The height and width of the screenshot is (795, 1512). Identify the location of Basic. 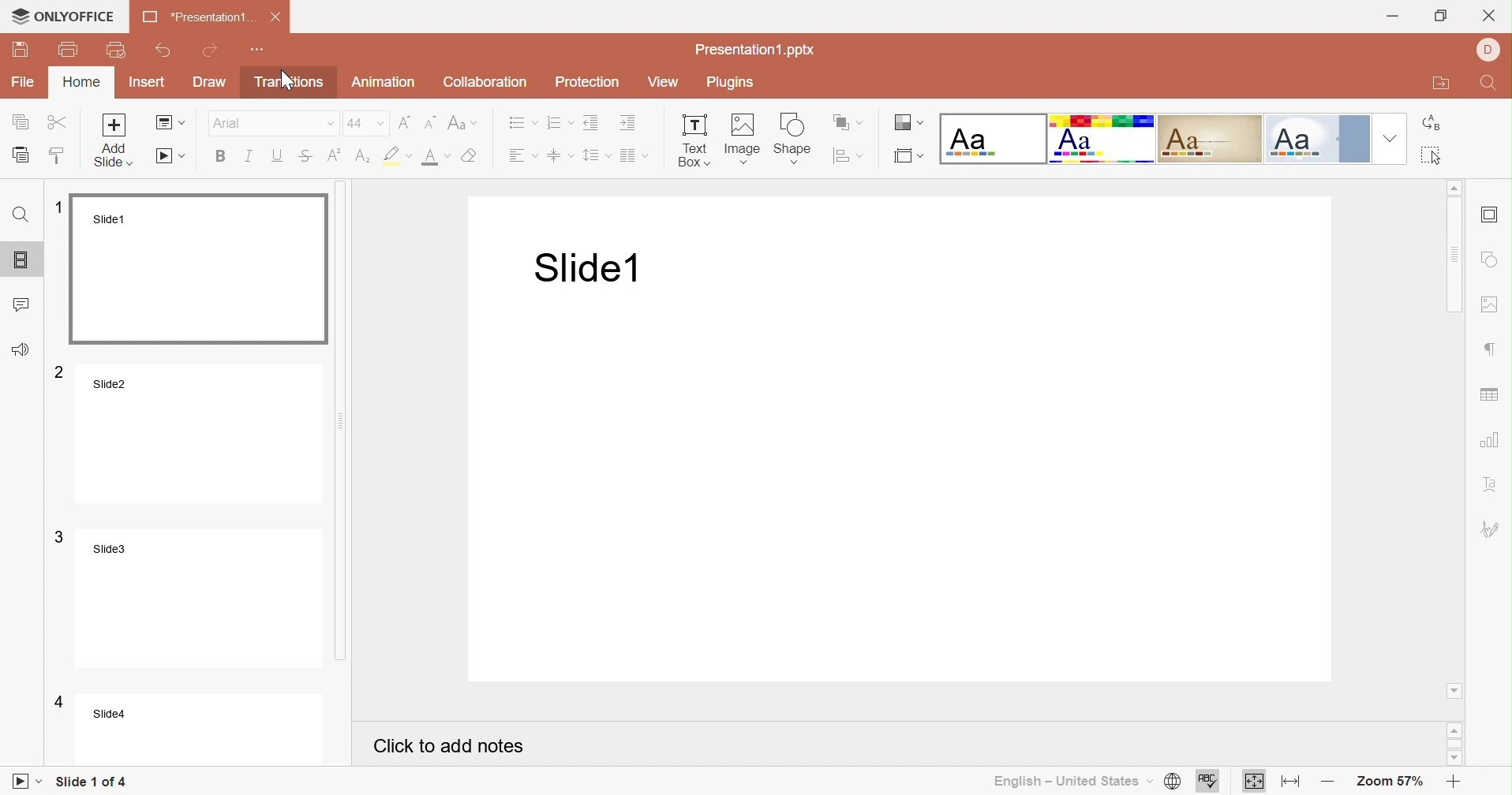
(1105, 139).